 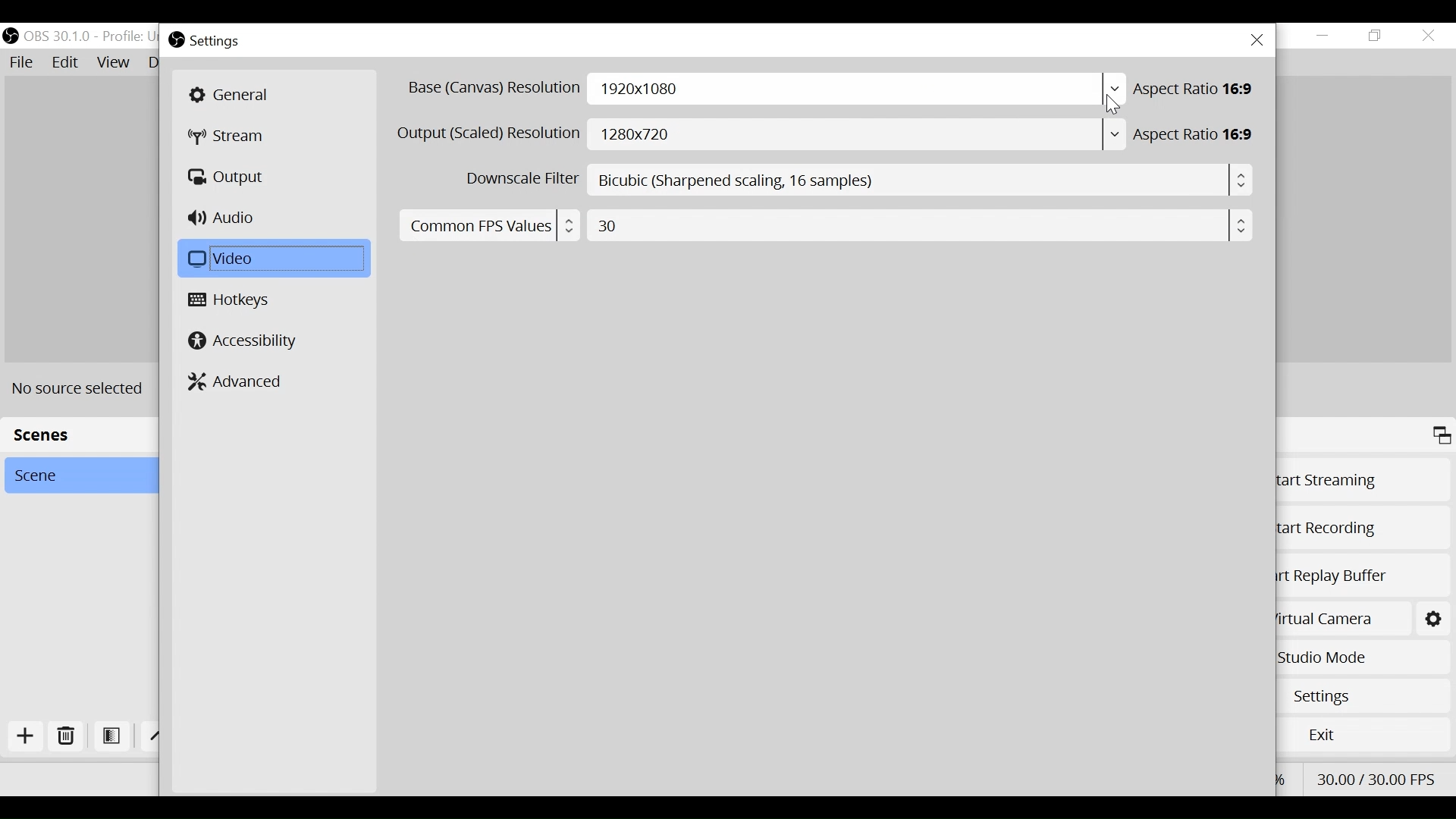 I want to click on Common FPS Values Field 30, so click(x=822, y=224).